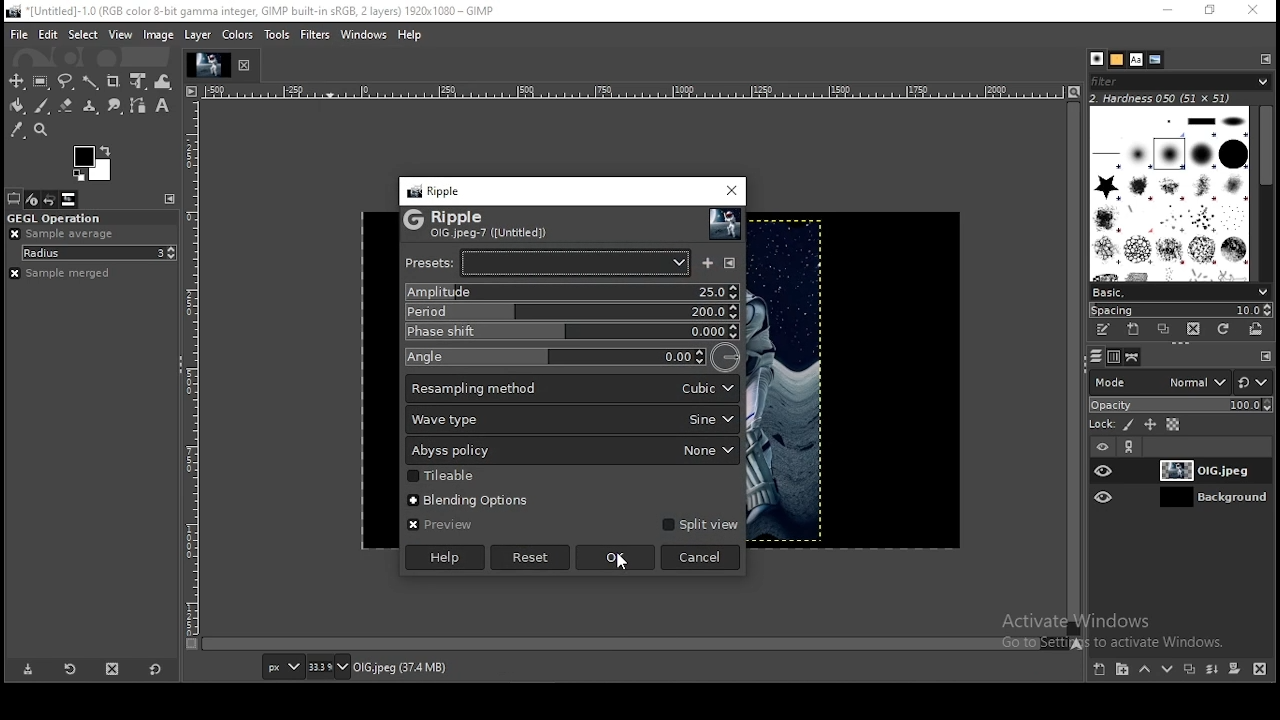 This screenshot has width=1280, height=720. I want to click on warp transform, so click(163, 80).